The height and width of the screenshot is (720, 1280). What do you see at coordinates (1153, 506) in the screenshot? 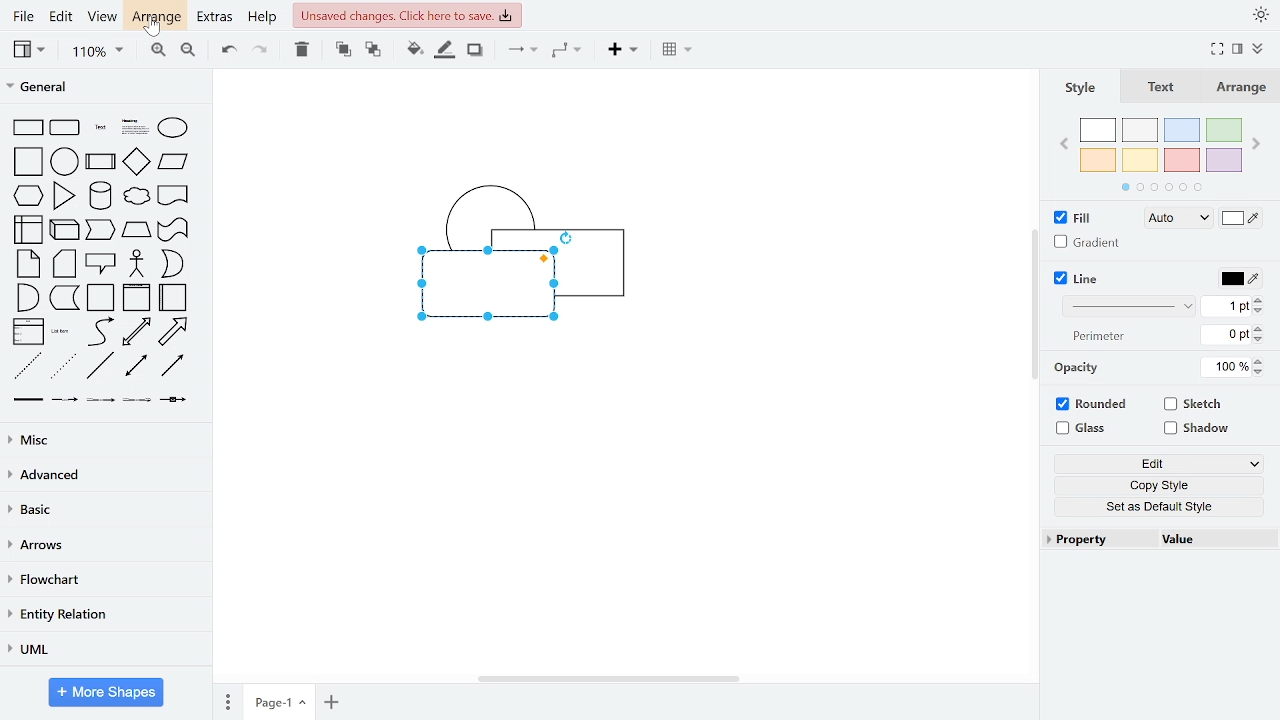
I see `set as default style` at bounding box center [1153, 506].